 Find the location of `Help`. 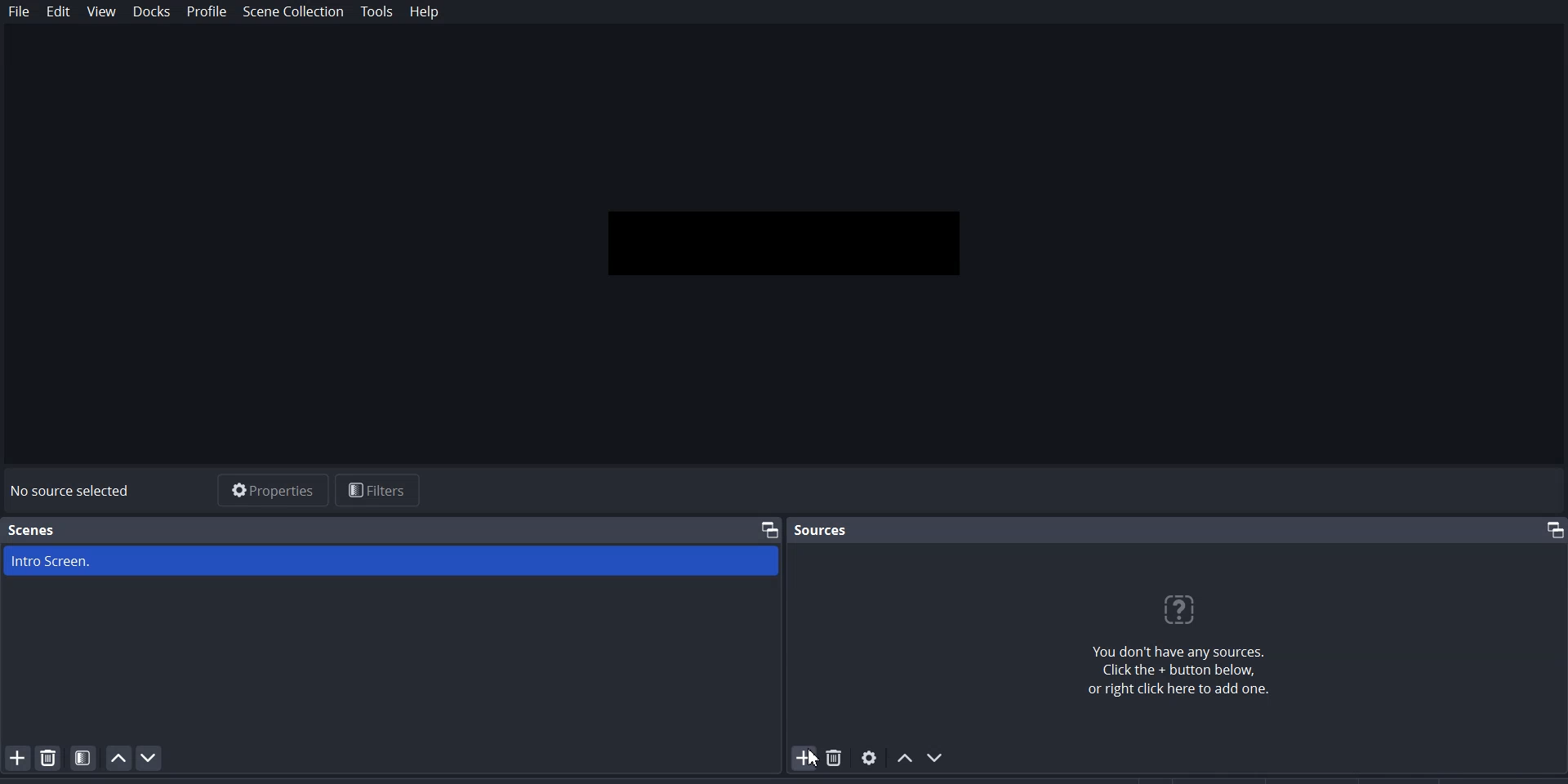

Help is located at coordinates (424, 13).